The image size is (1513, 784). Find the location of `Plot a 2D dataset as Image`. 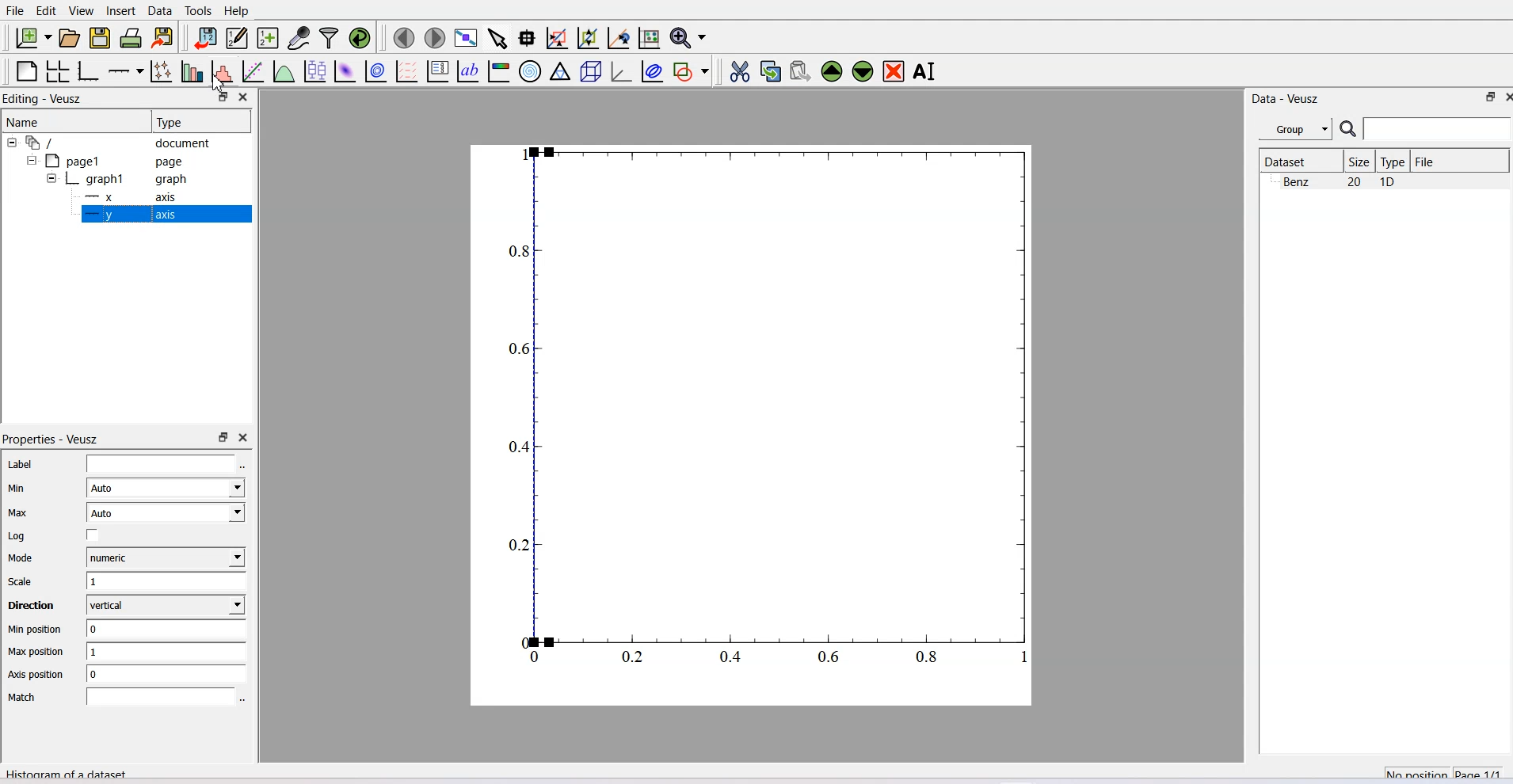

Plot a 2D dataset as Image is located at coordinates (345, 70).